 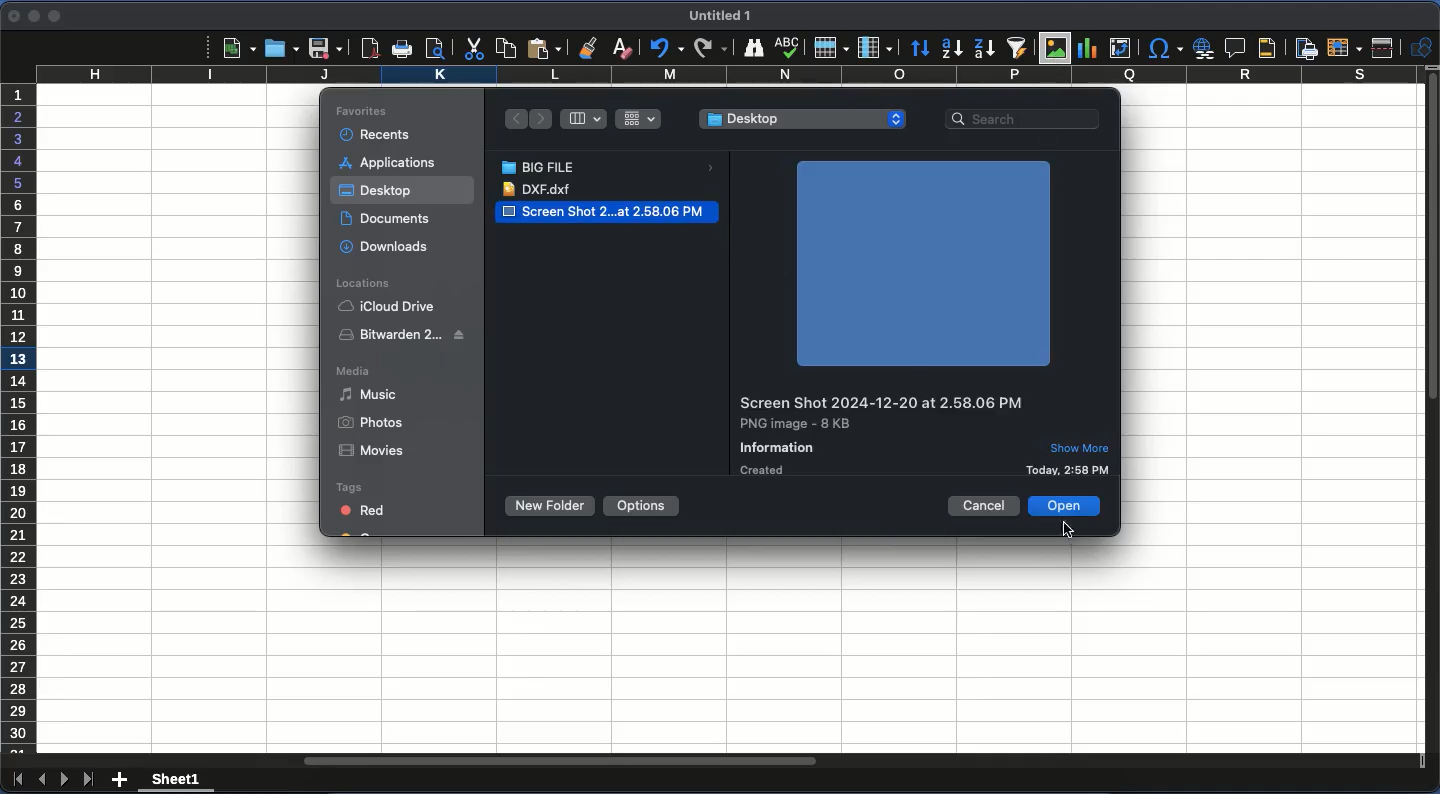 I want to click on previous sheet, so click(x=41, y=779).